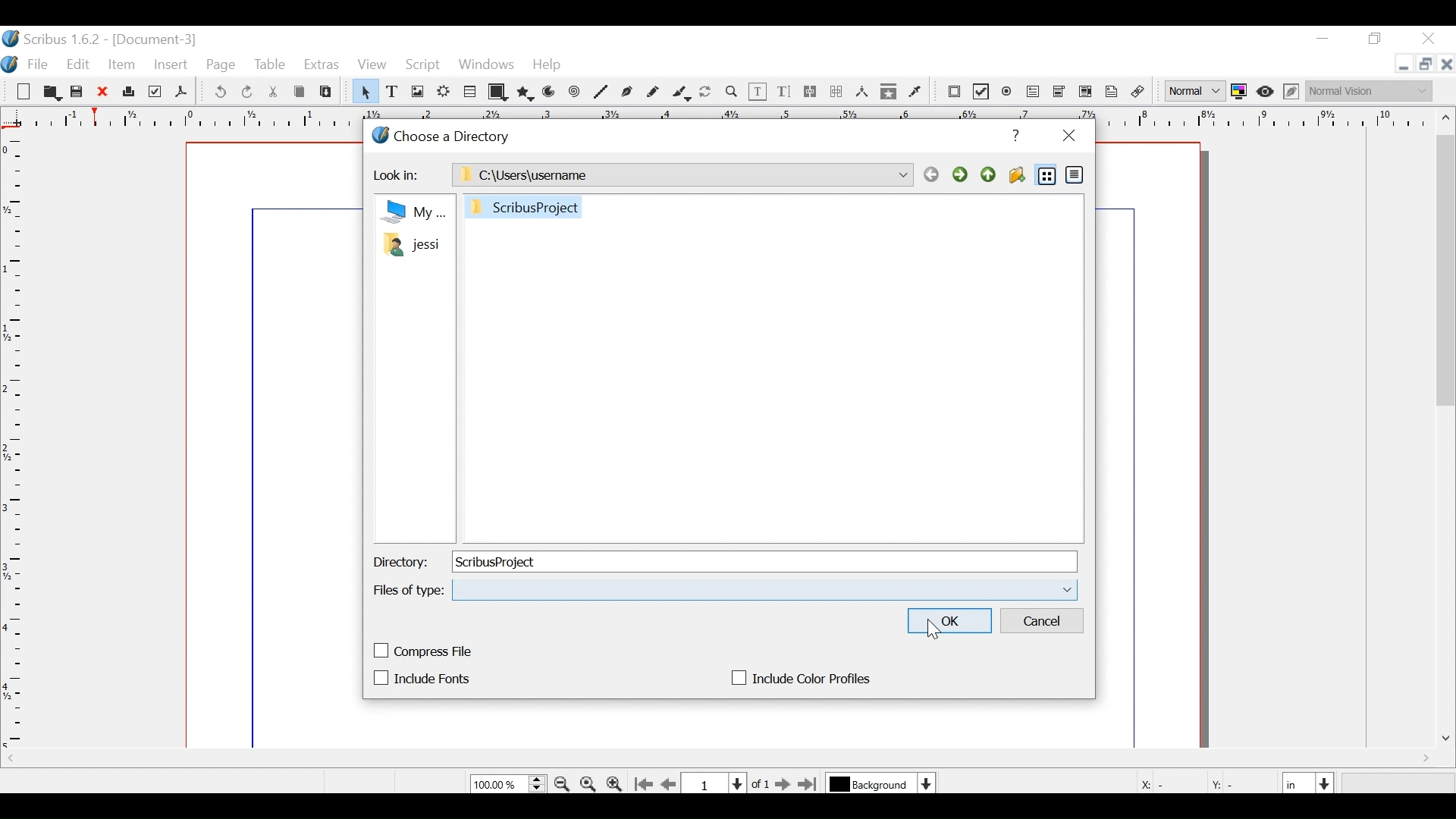 The image size is (1456, 819). I want to click on Table, so click(271, 66).